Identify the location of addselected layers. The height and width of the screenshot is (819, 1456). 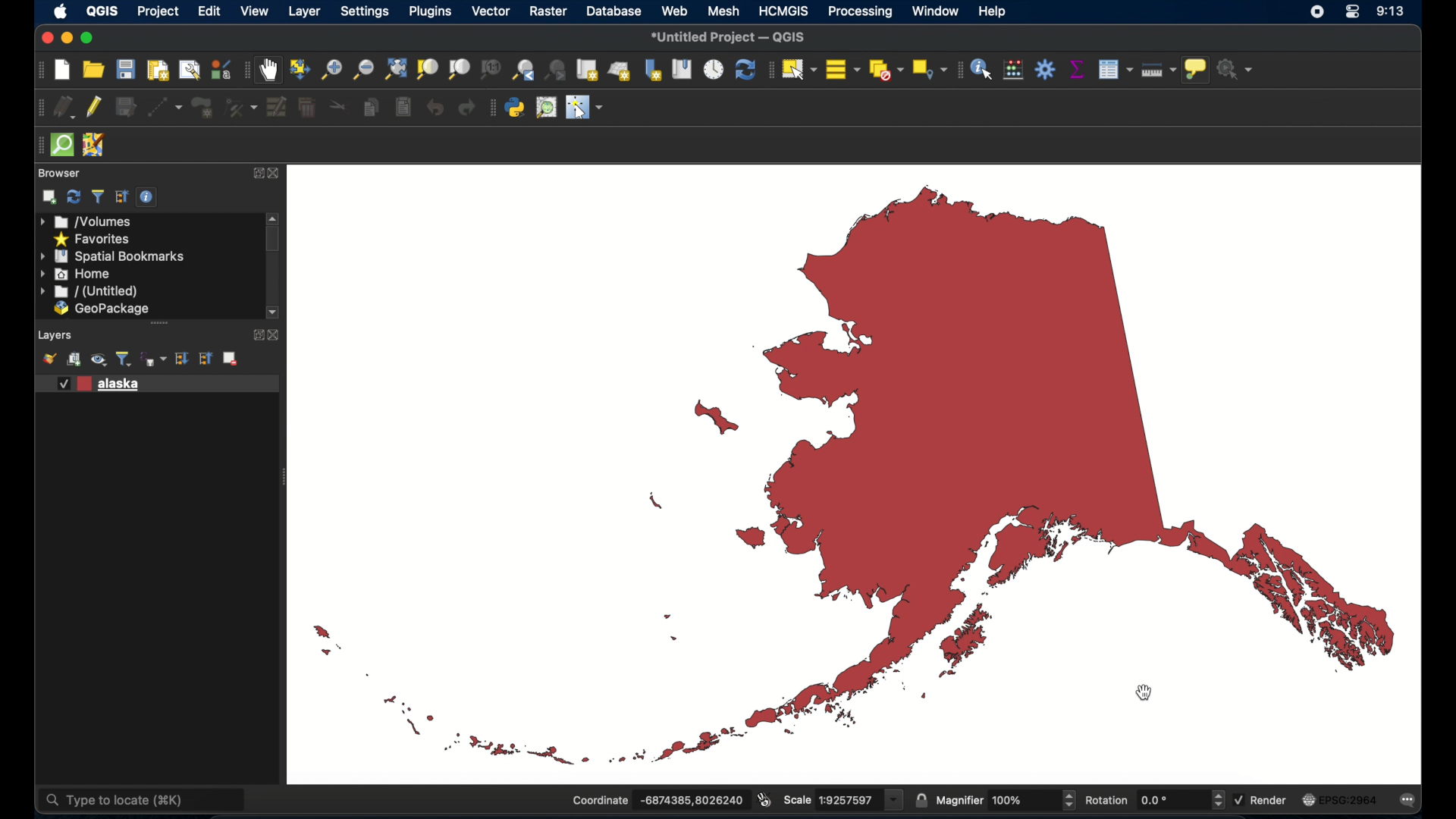
(49, 197).